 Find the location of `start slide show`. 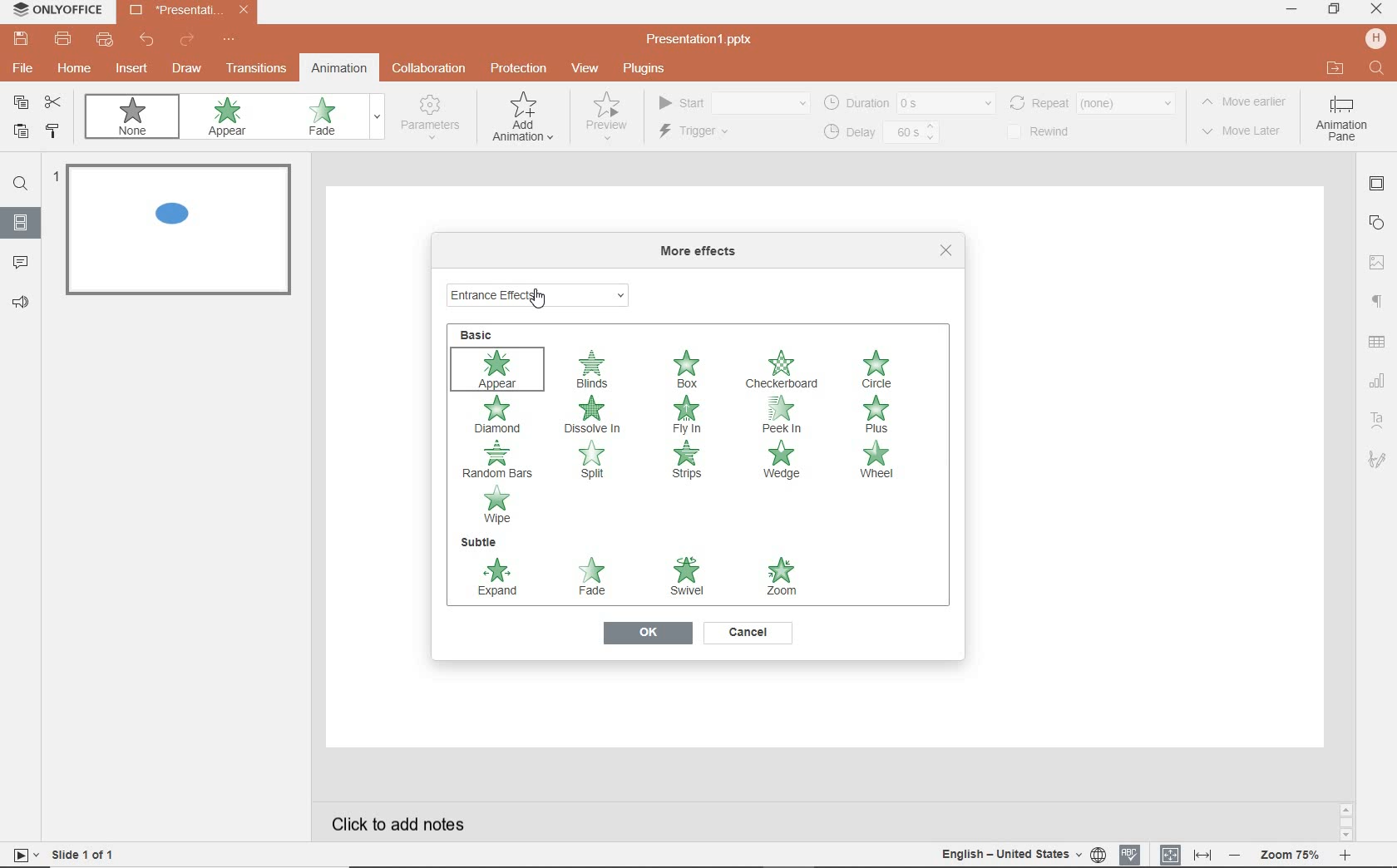

start slide show is located at coordinates (20, 855).